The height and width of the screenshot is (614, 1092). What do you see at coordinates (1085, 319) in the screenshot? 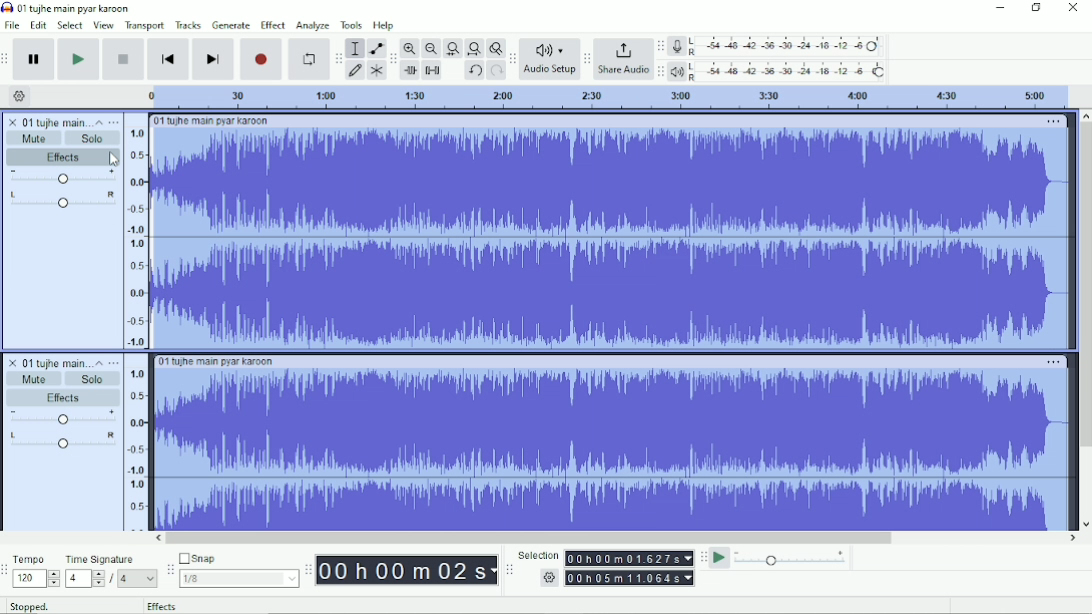
I see `Vertical scrollbar` at bounding box center [1085, 319].